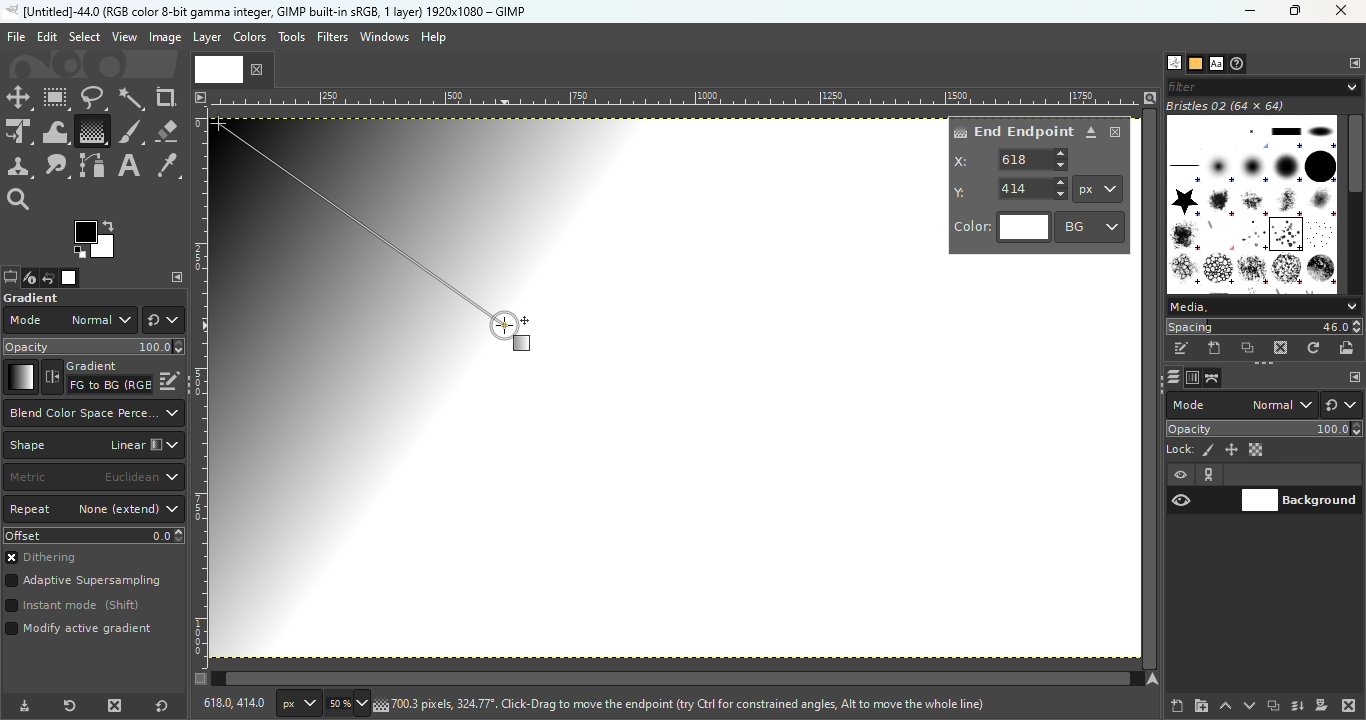 This screenshot has height=720, width=1366. Describe the element at coordinates (1171, 377) in the screenshot. I see `Open the layers dialog` at that location.